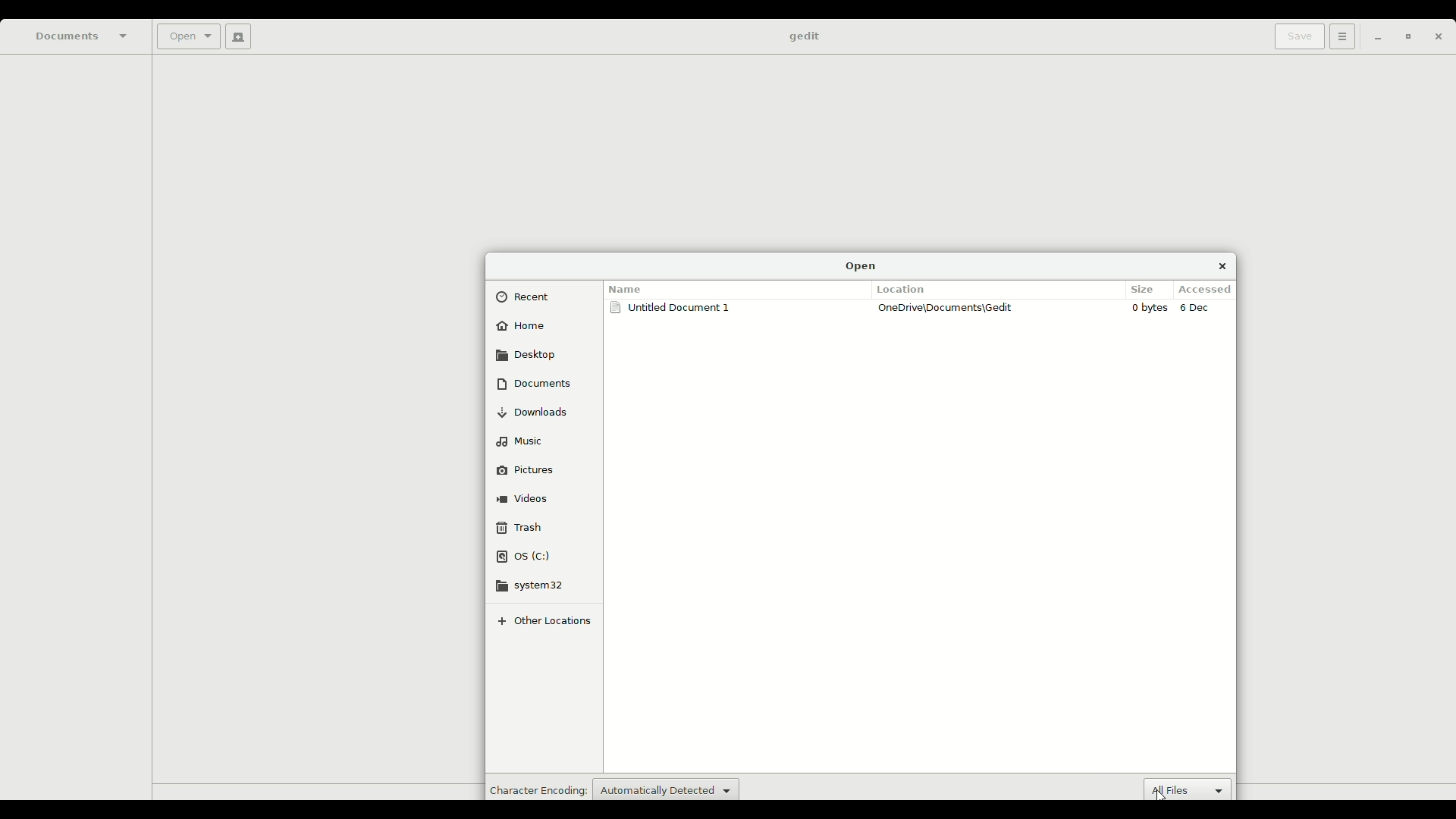 The image size is (1456, 819). What do you see at coordinates (528, 354) in the screenshot?
I see `Desktop` at bounding box center [528, 354].